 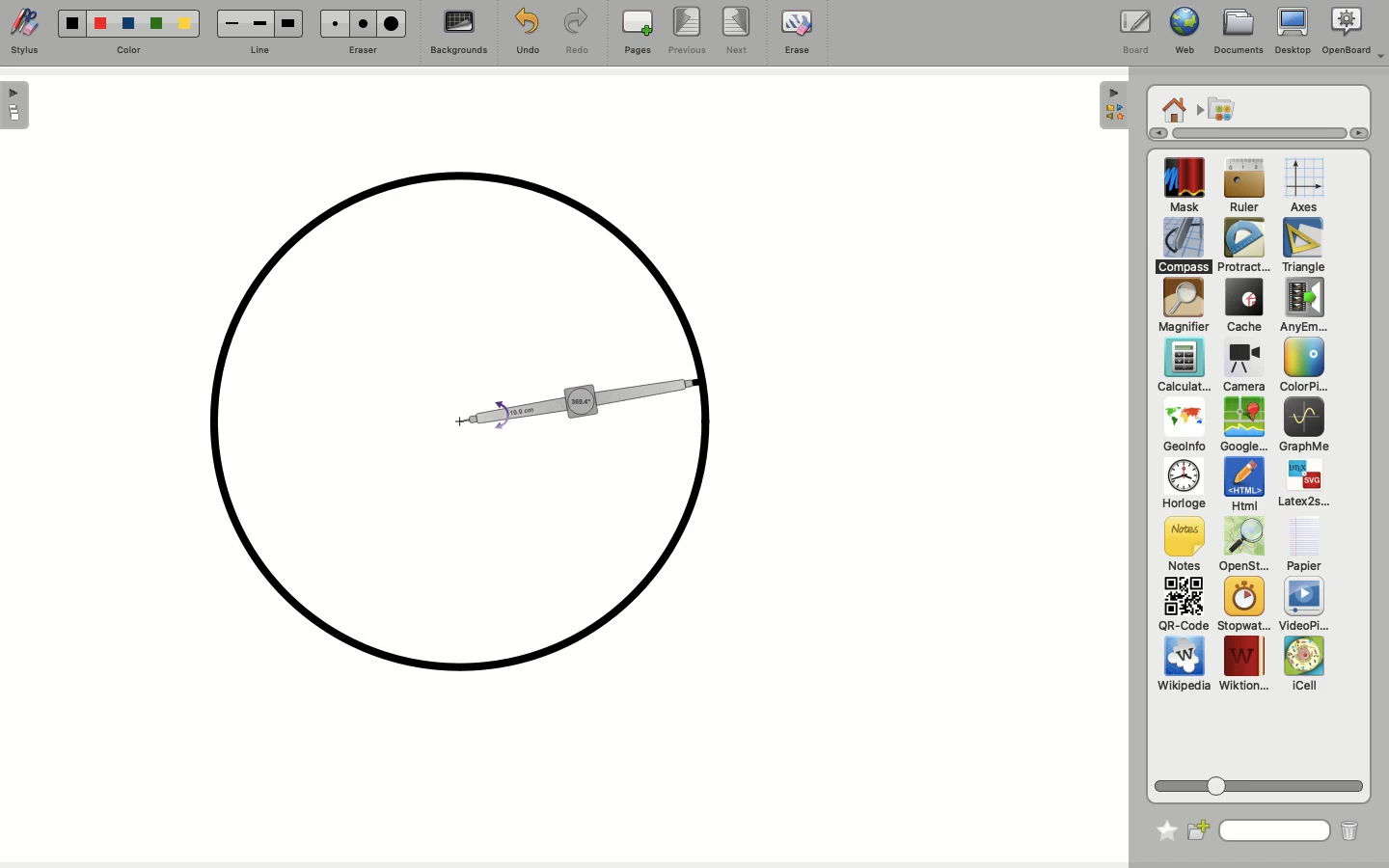 What do you see at coordinates (1184, 366) in the screenshot?
I see `Calculator` at bounding box center [1184, 366].